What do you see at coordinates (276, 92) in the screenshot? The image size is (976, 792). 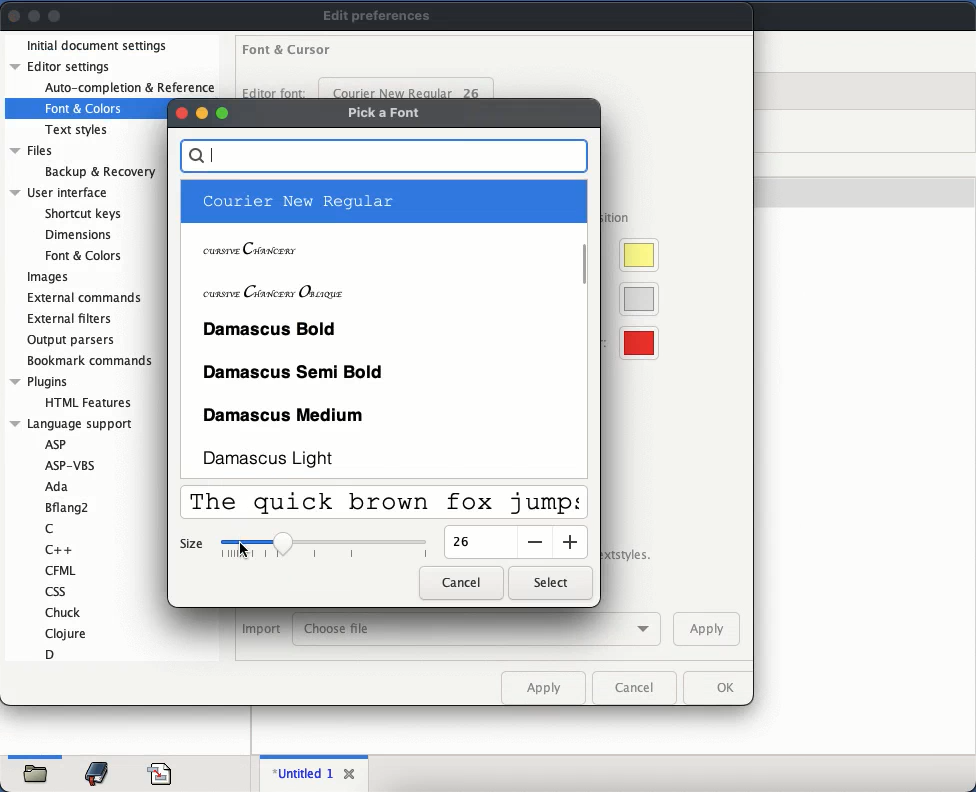 I see `editor font` at bounding box center [276, 92].